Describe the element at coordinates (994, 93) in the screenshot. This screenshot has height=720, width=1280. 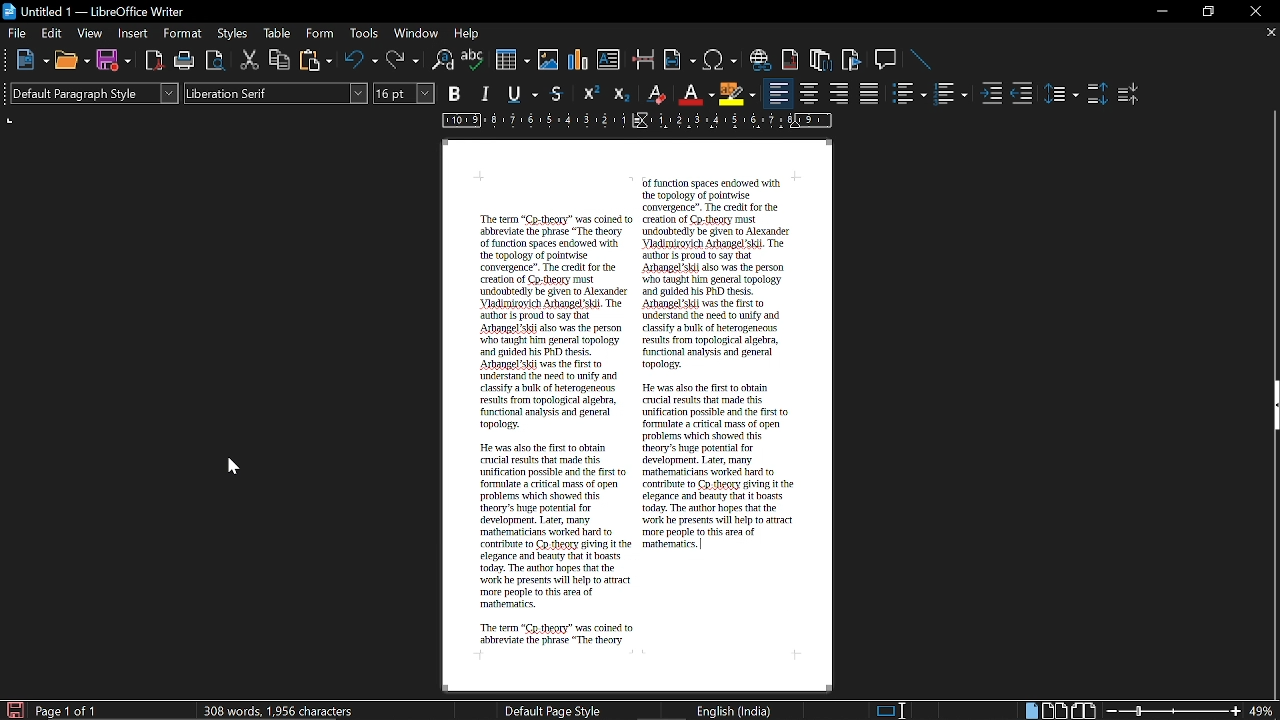
I see `Increase indent` at that location.